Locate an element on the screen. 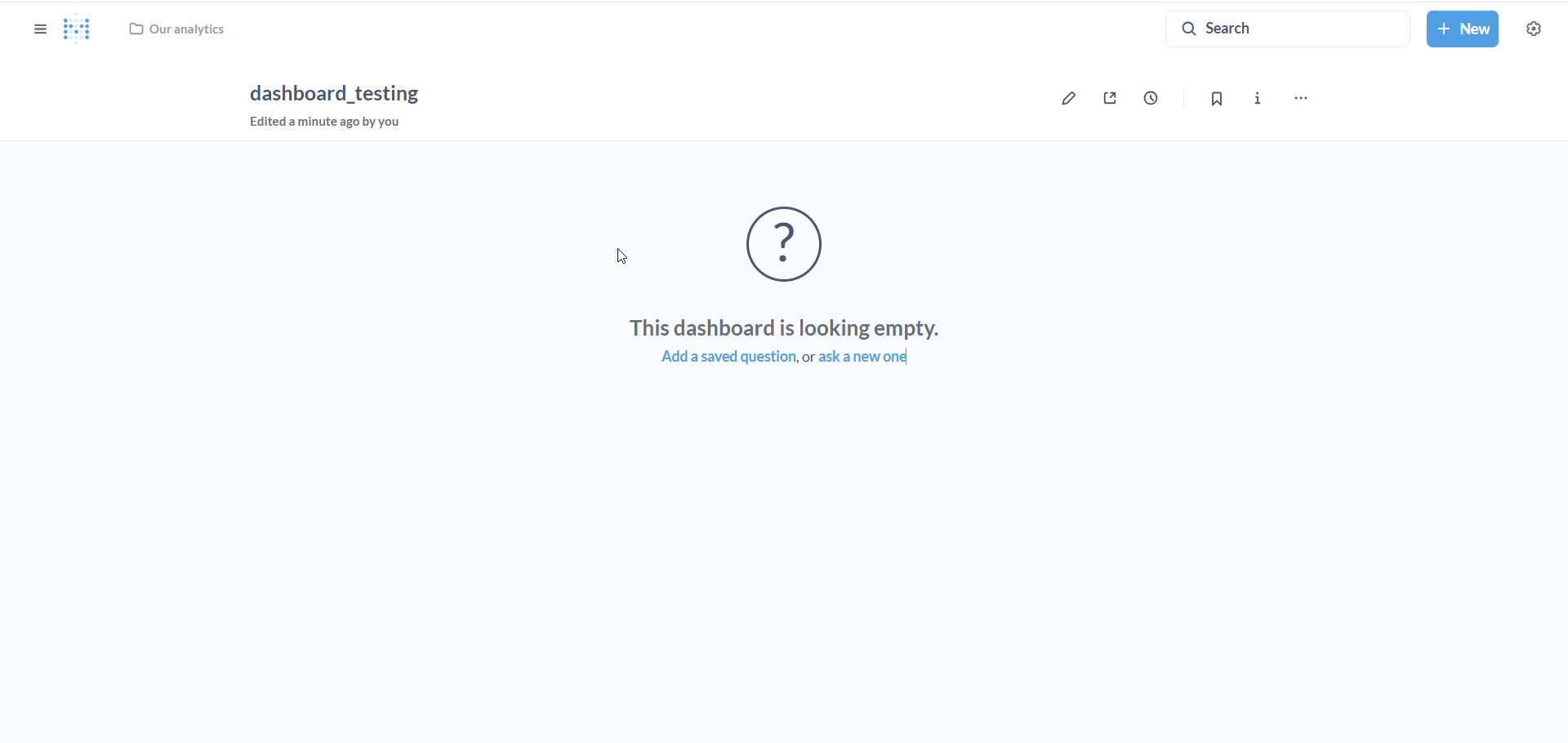 This screenshot has width=1568, height=743. our analytics  is located at coordinates (198, 32).